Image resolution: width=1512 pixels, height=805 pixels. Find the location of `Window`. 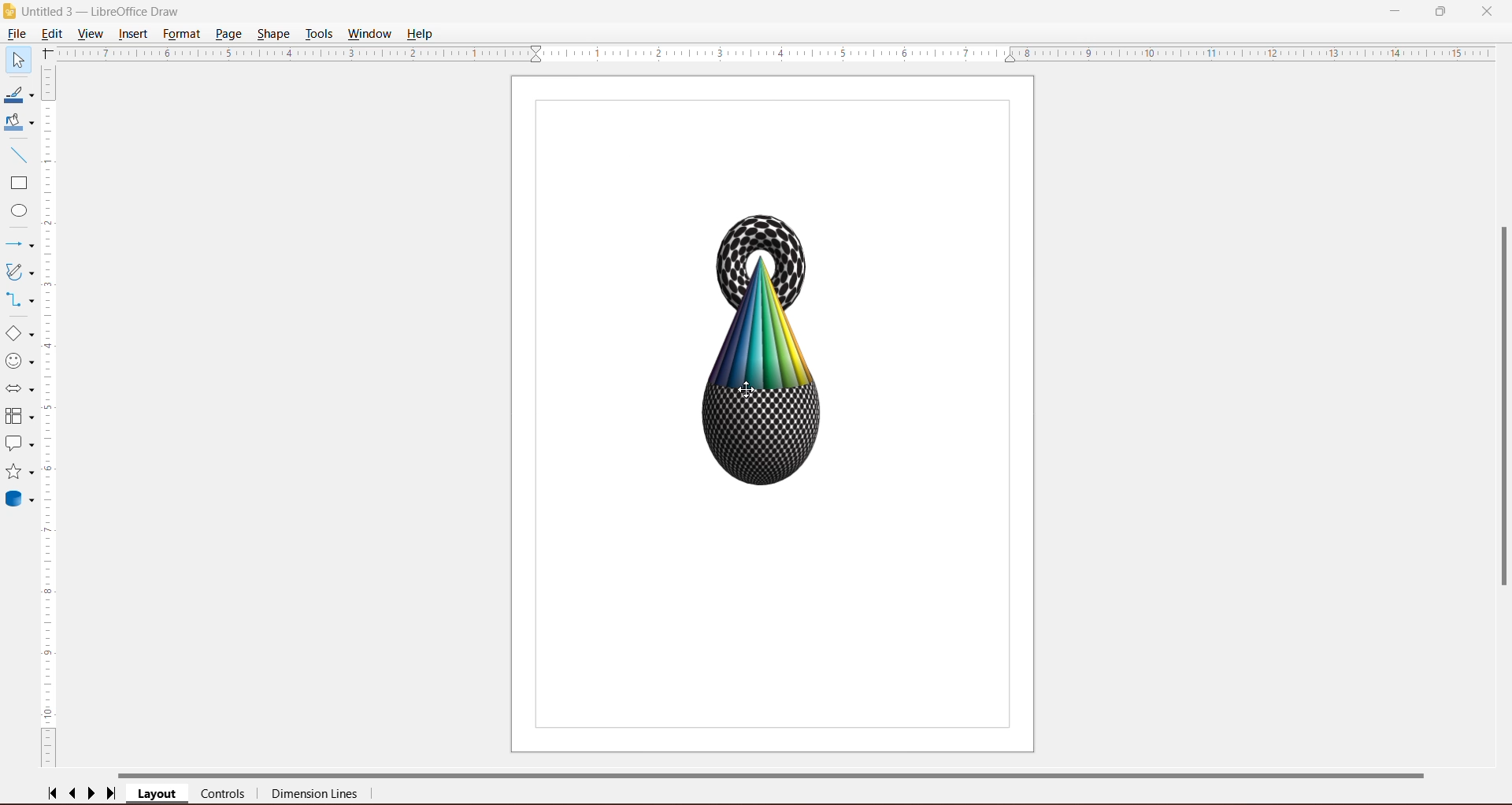

Window is located at coordinates (371, 34).